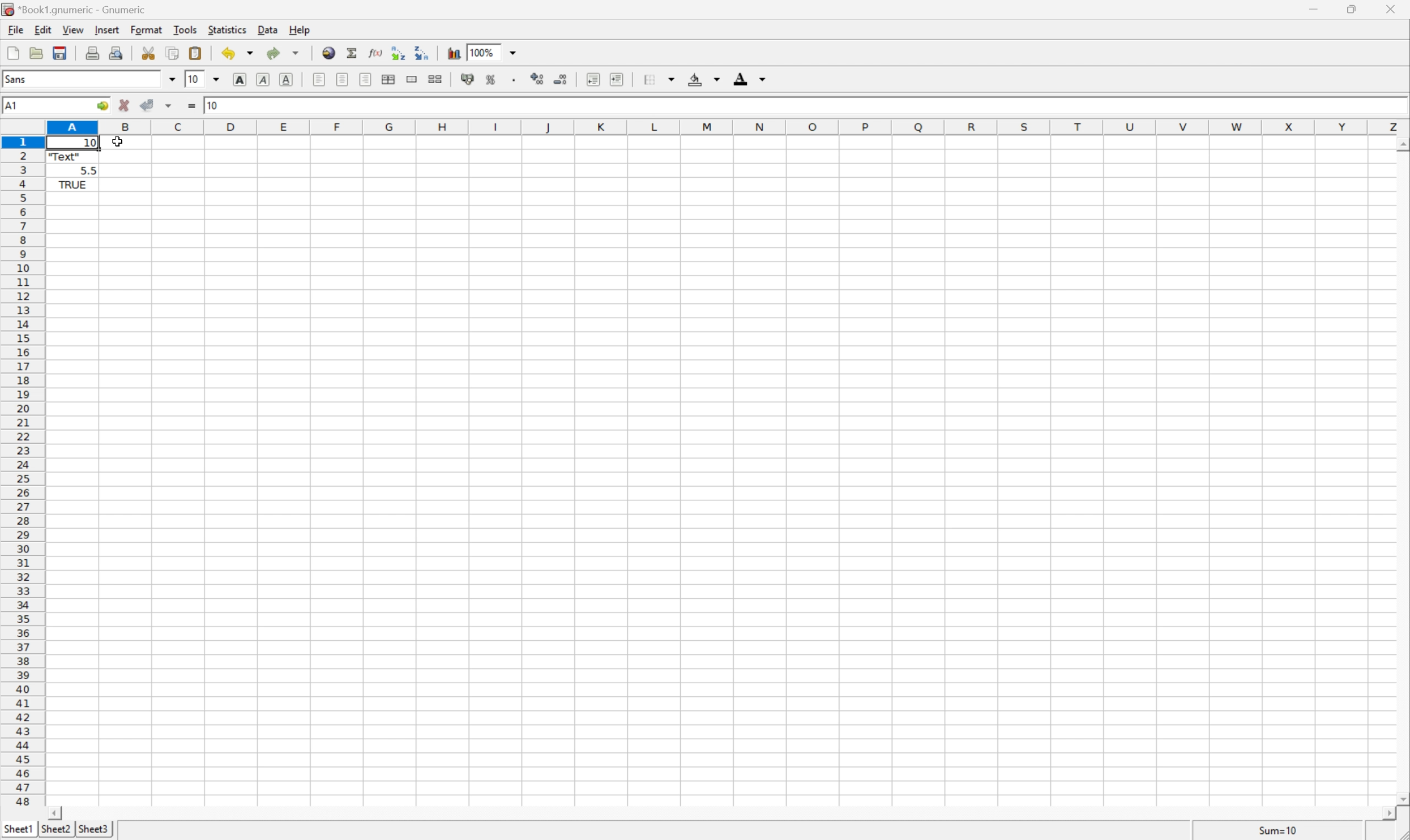 Image resolution: width=1410 pixels, height=840 pixels. What do you see at coordinates (752, 78) in the screenshot?
I see `Foreground` at bounding box center [752, 78].